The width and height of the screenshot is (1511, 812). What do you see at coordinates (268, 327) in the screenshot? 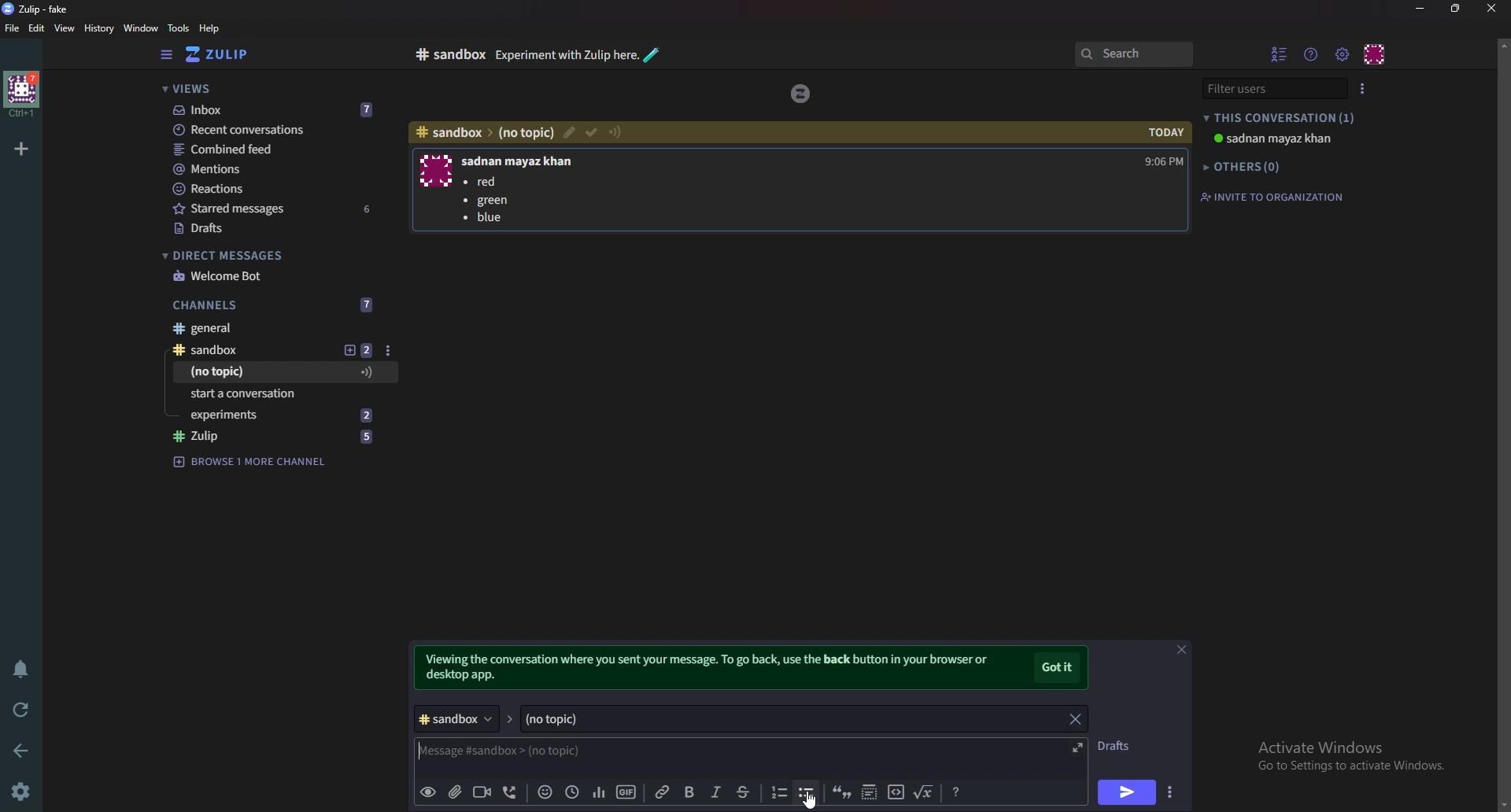
I see `General` at bounding box center [268, 327].